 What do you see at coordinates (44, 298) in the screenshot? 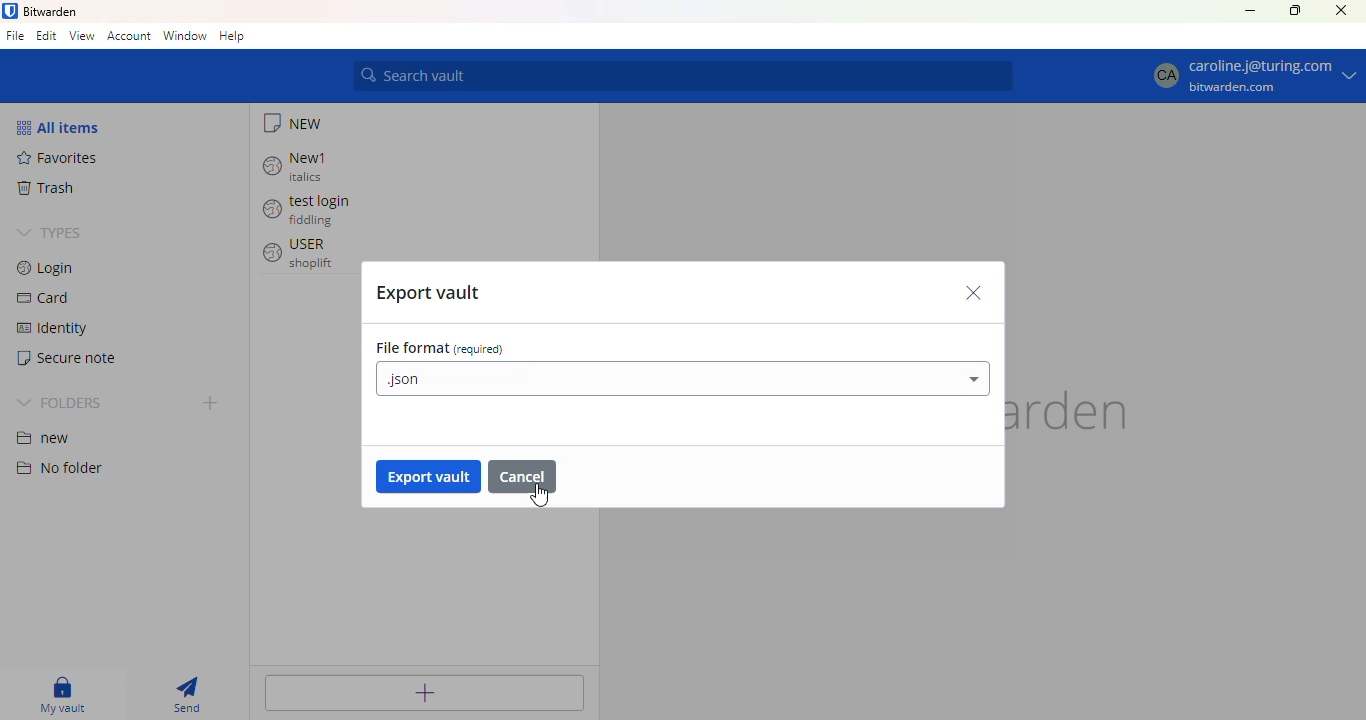
I see `card` at bounding box center [44, 298].